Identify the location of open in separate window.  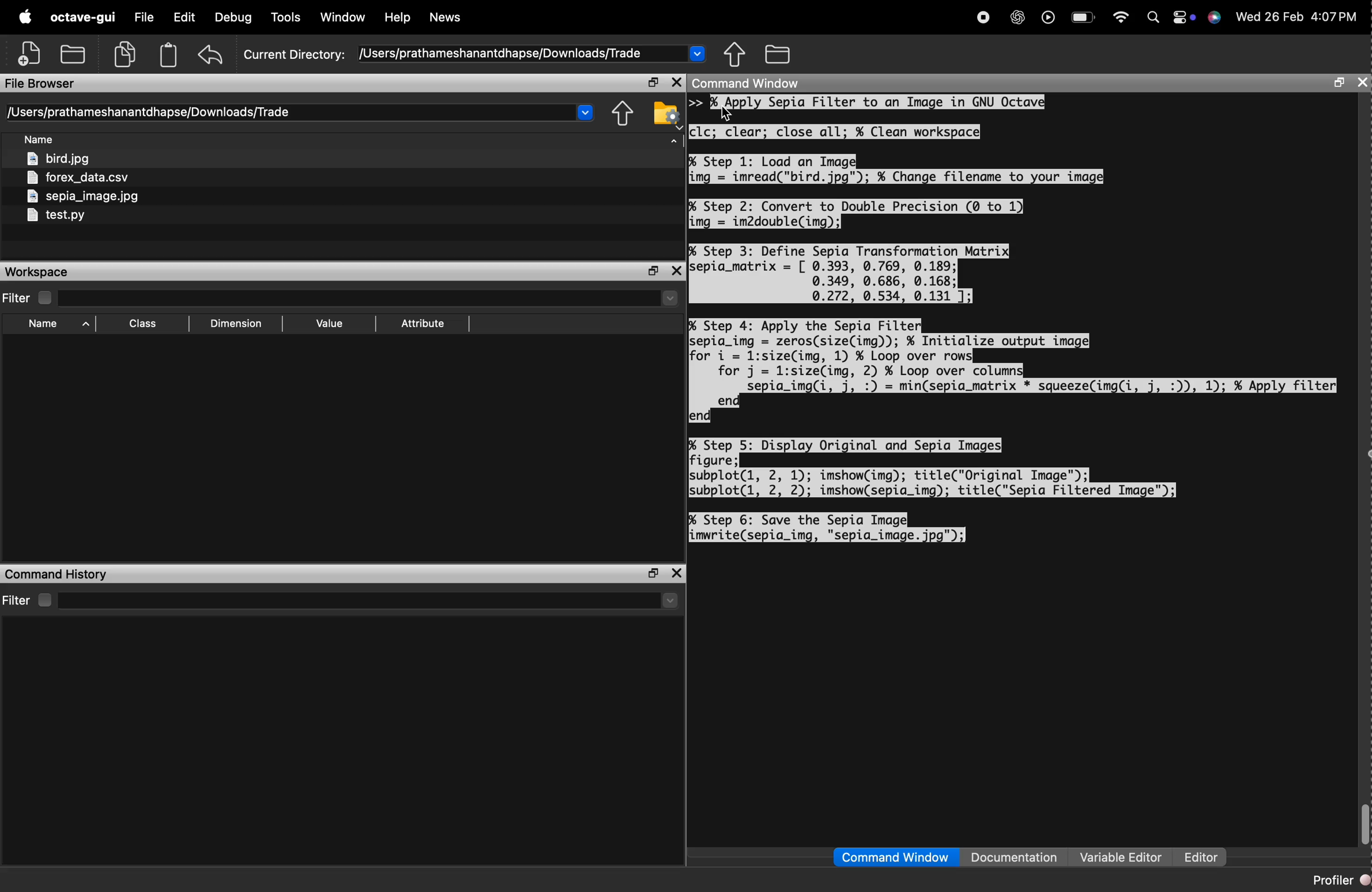
(1340, 83).